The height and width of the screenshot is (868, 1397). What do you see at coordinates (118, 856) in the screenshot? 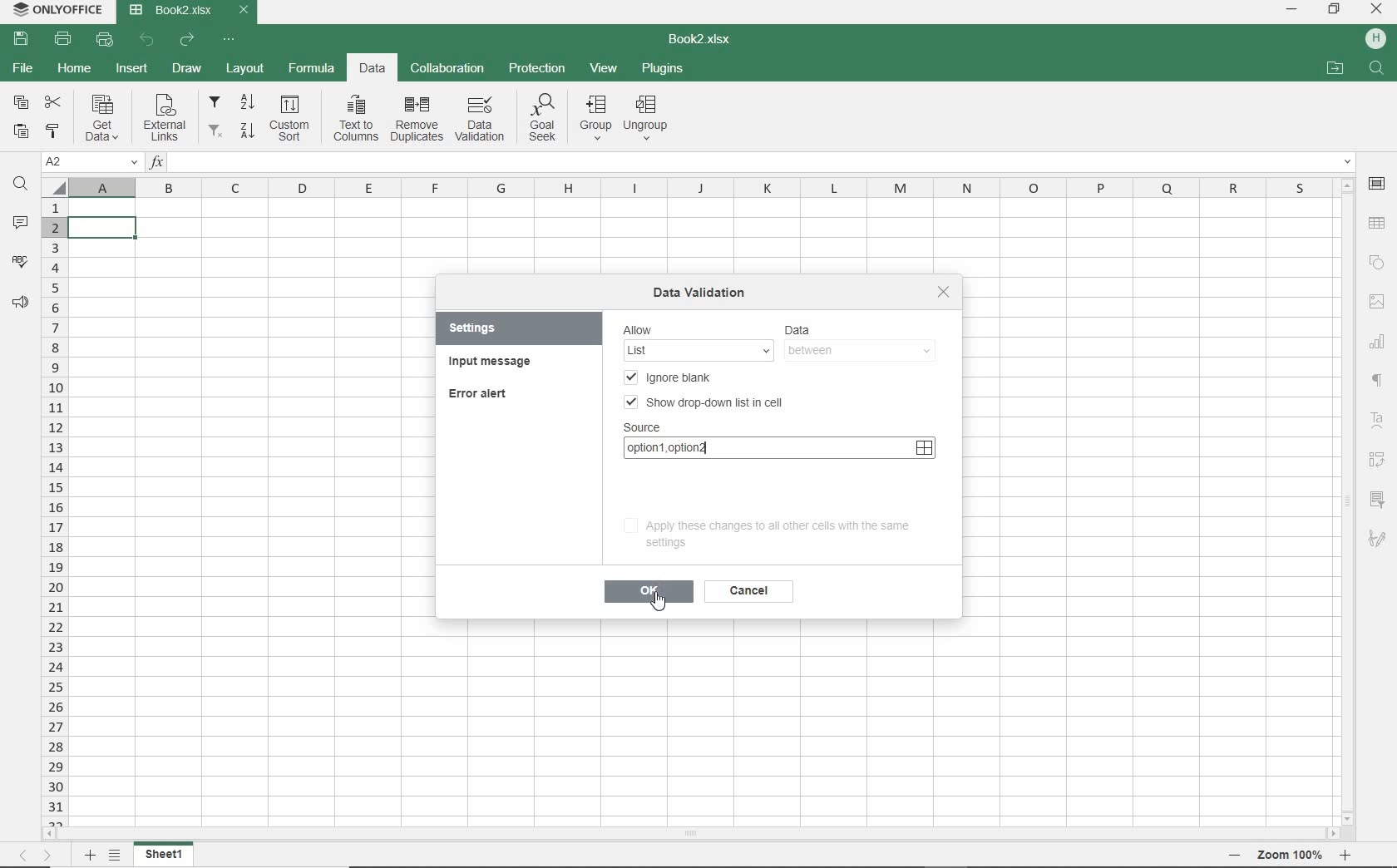
I see `LIST OF SHEETS` at bounding box center [118, 856].